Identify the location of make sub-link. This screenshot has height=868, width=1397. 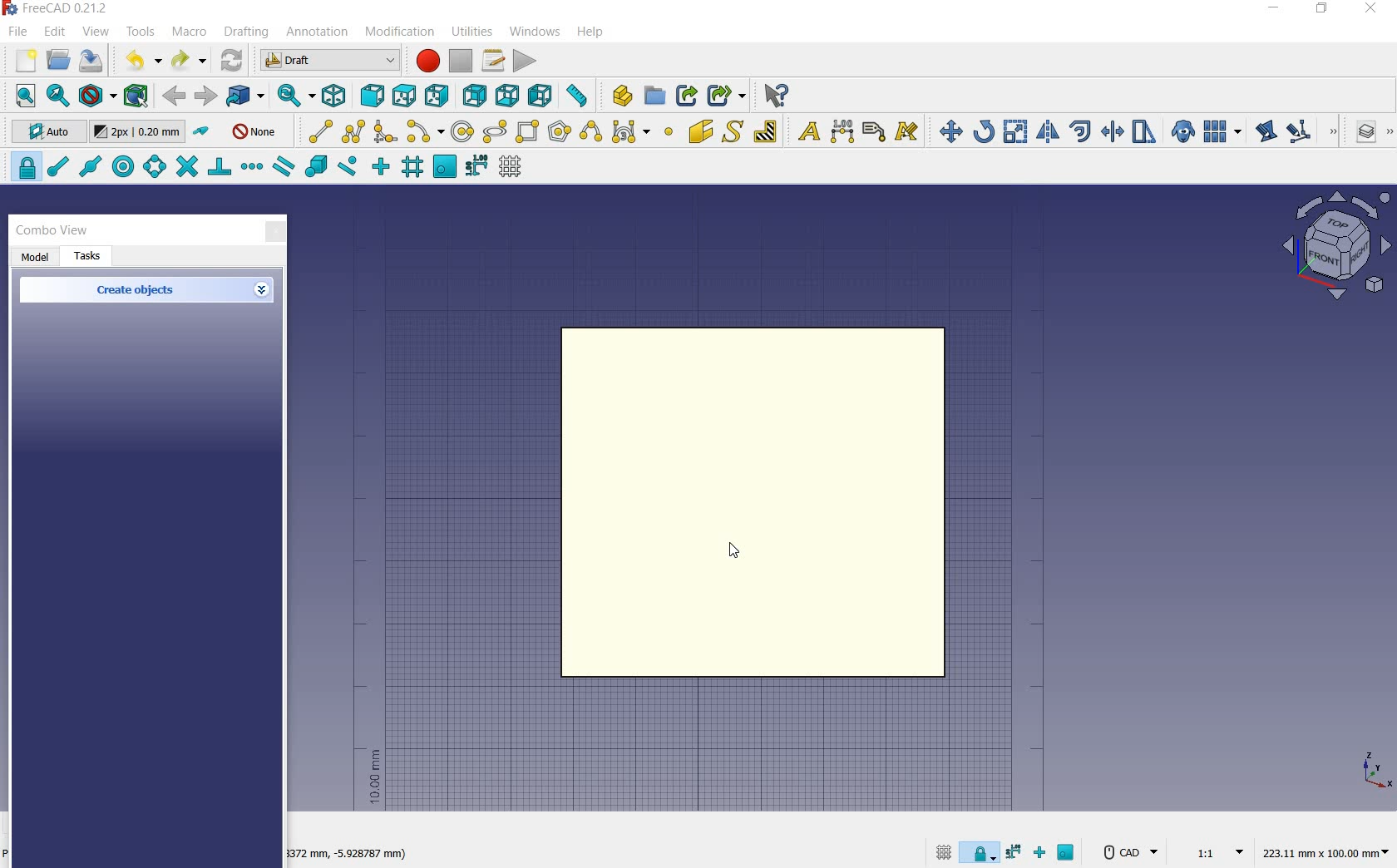
(724, 96).